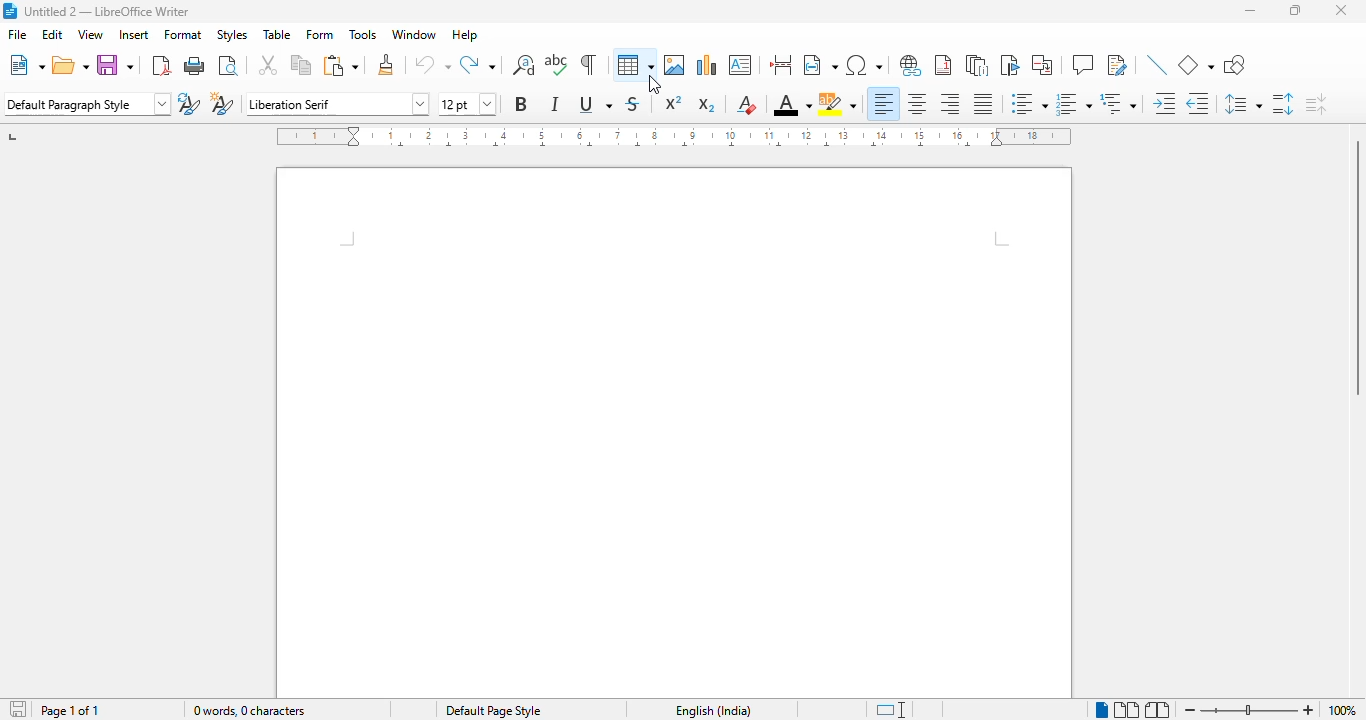 The height and width of the screenshot is (720, 1366). Describe the element at coordinates (524, 64) in the screenshot. I see `find and replace` at that location.